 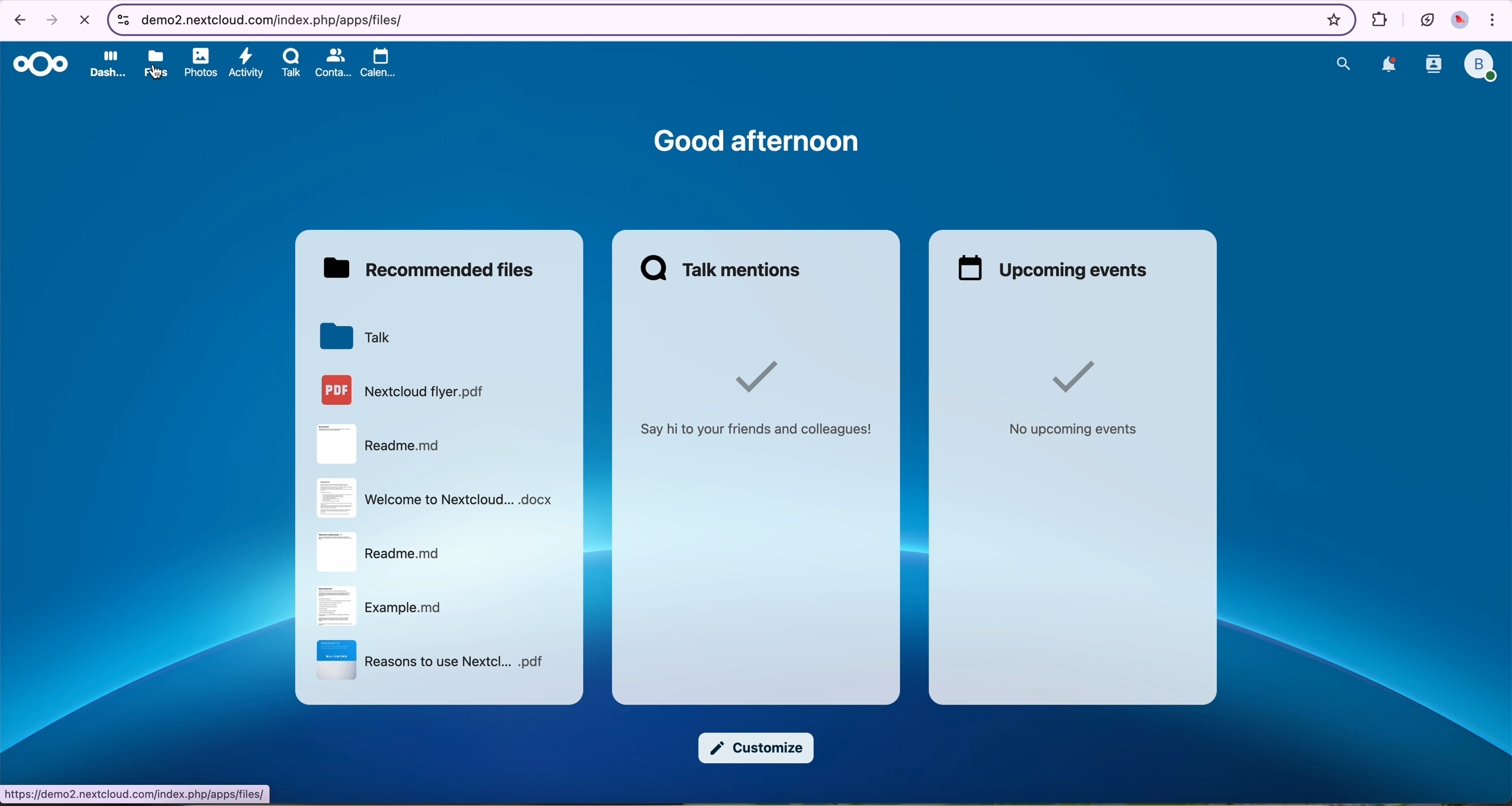 I want to click on controls, so click(x=121, y=18).